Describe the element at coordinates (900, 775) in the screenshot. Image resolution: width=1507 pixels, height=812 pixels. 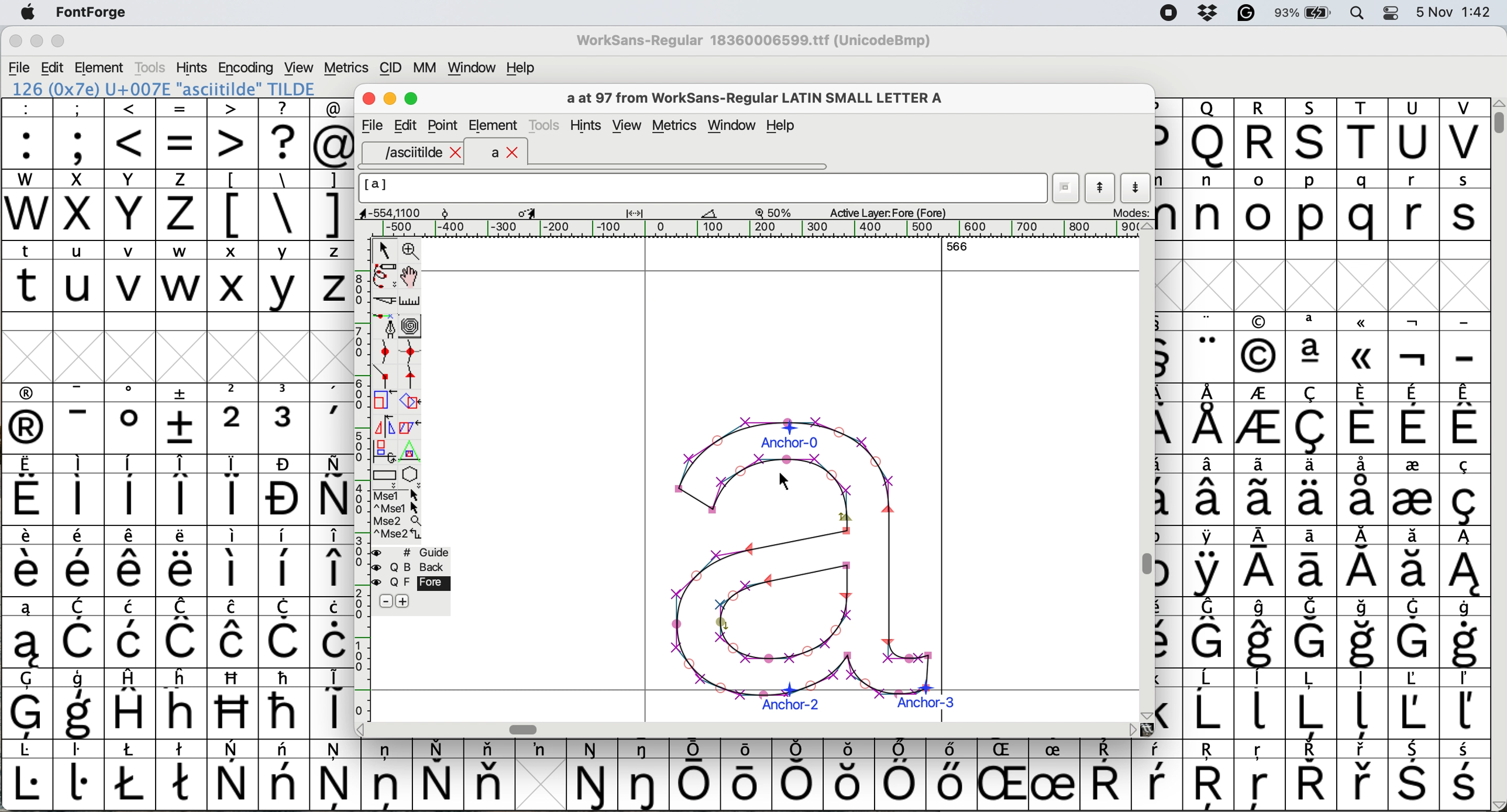
I see `symbol` at that location.